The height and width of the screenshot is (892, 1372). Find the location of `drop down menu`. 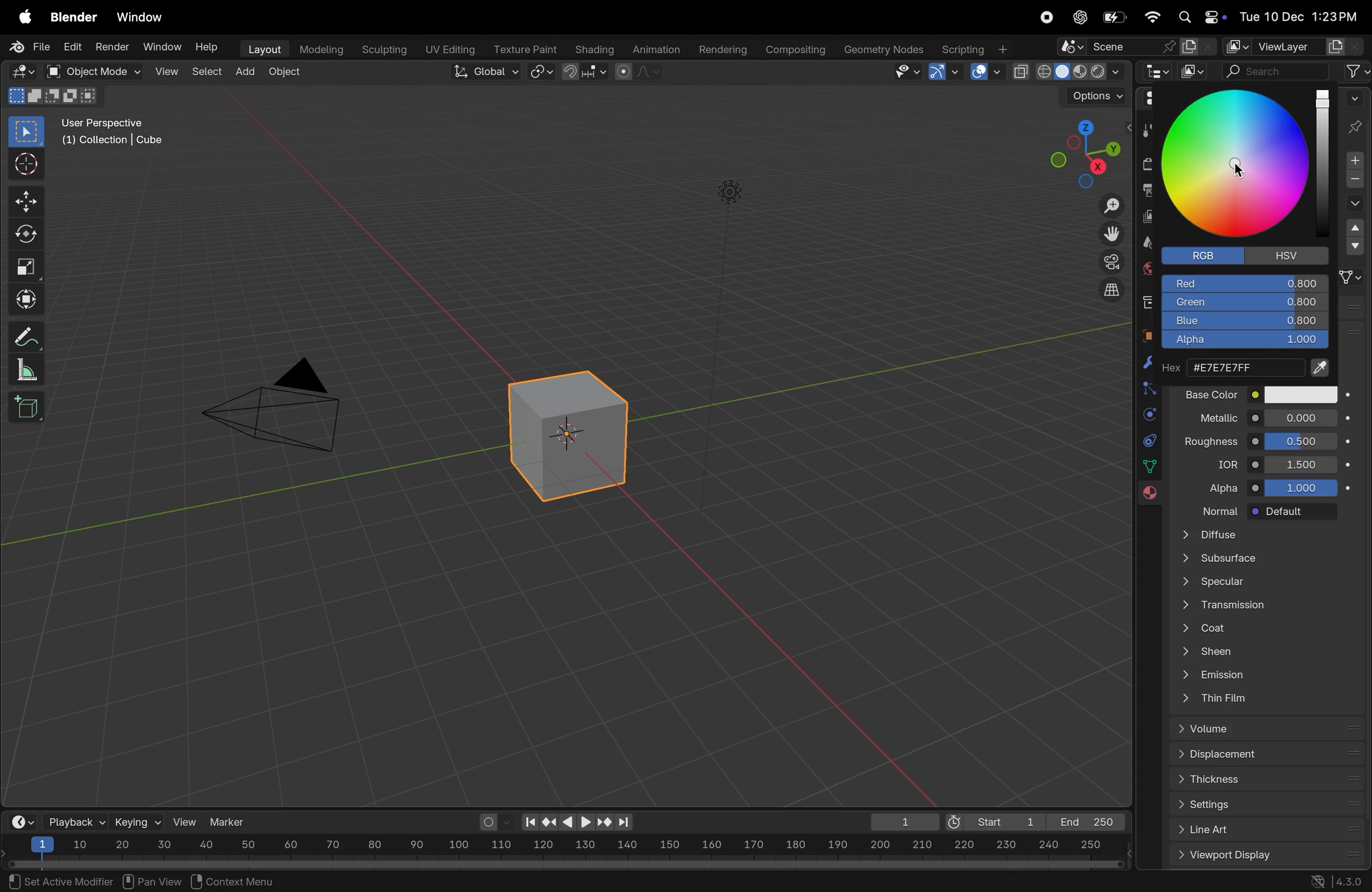

drop down menu is located at coordinates (1355, 242).